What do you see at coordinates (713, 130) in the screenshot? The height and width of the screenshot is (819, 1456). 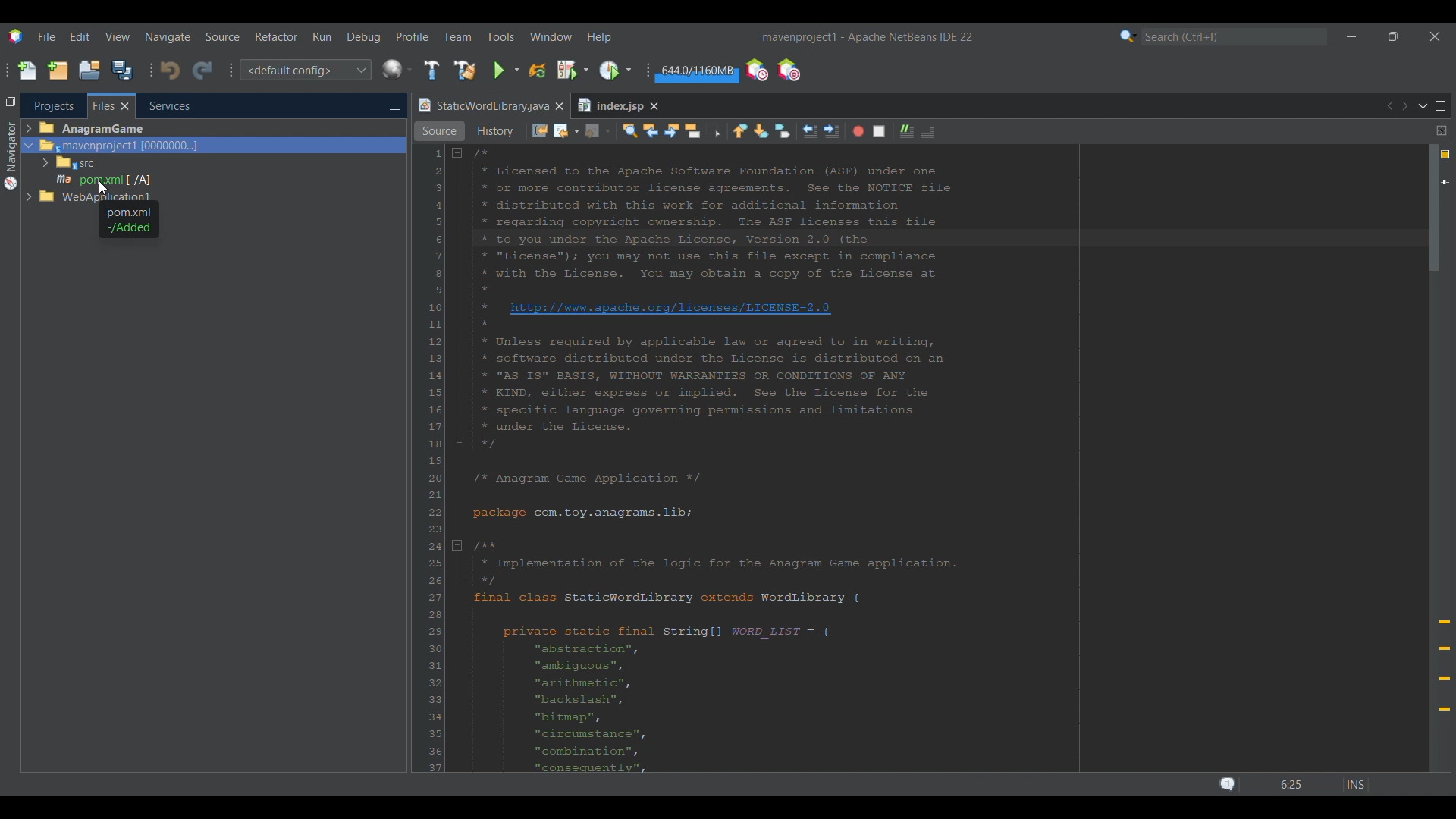 I see `Toggle rectangular selection` at bounding box center [713, 130].